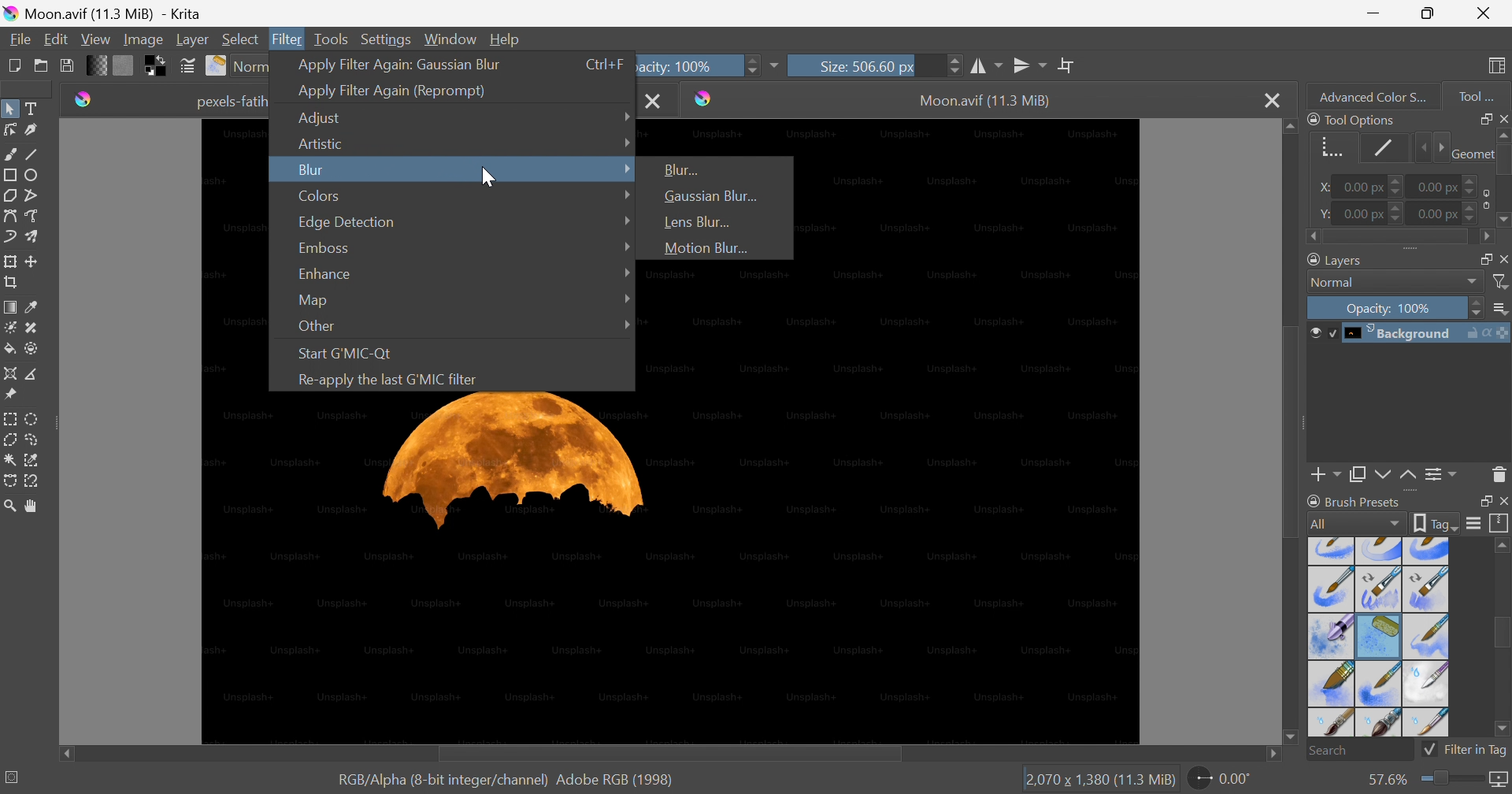 This screenshot has width=1512, height=794. Describe the element at coordinates (1357, 503) in the screenshot. I see `Brush presets` at that location.